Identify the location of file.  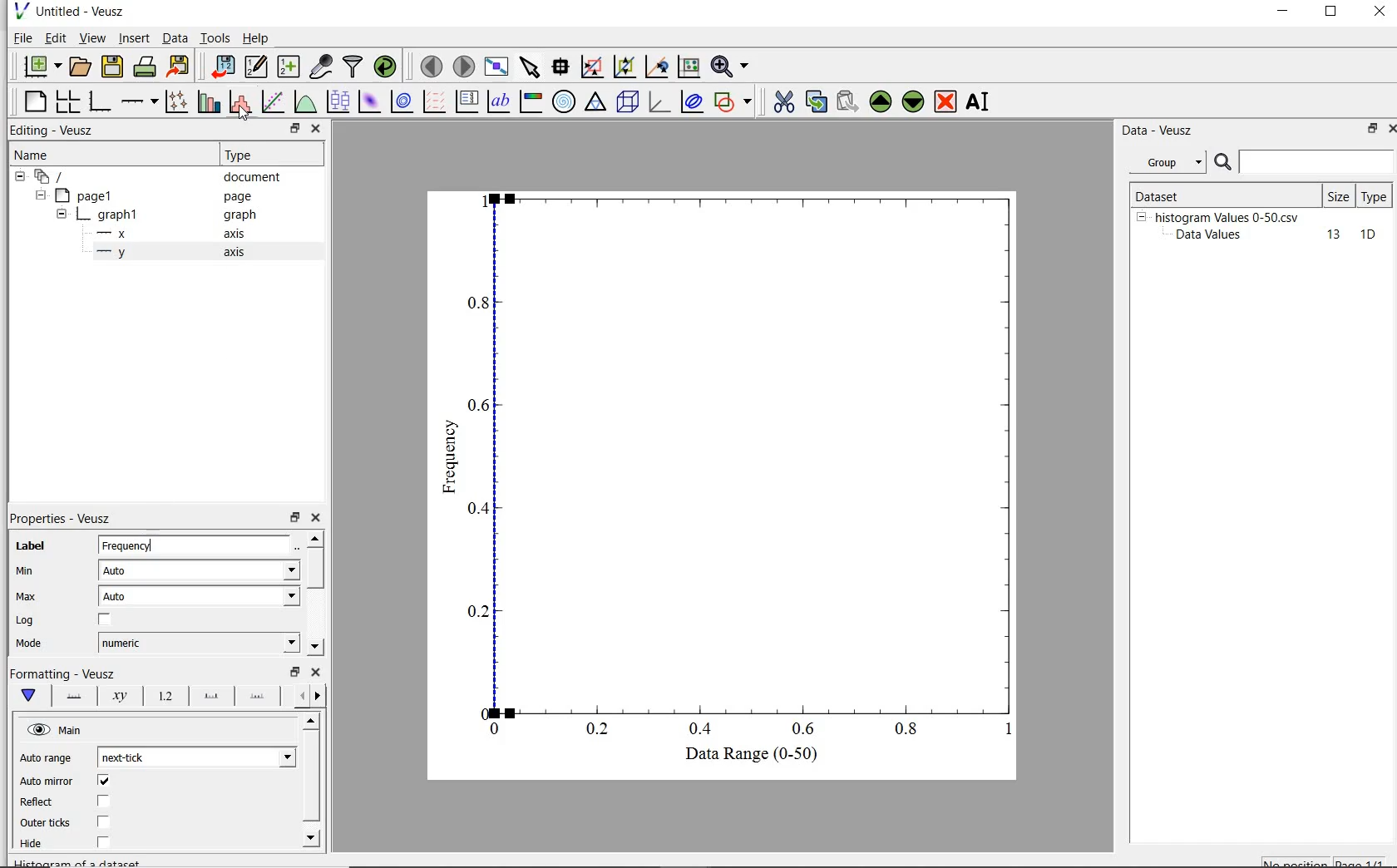
(22, 37).